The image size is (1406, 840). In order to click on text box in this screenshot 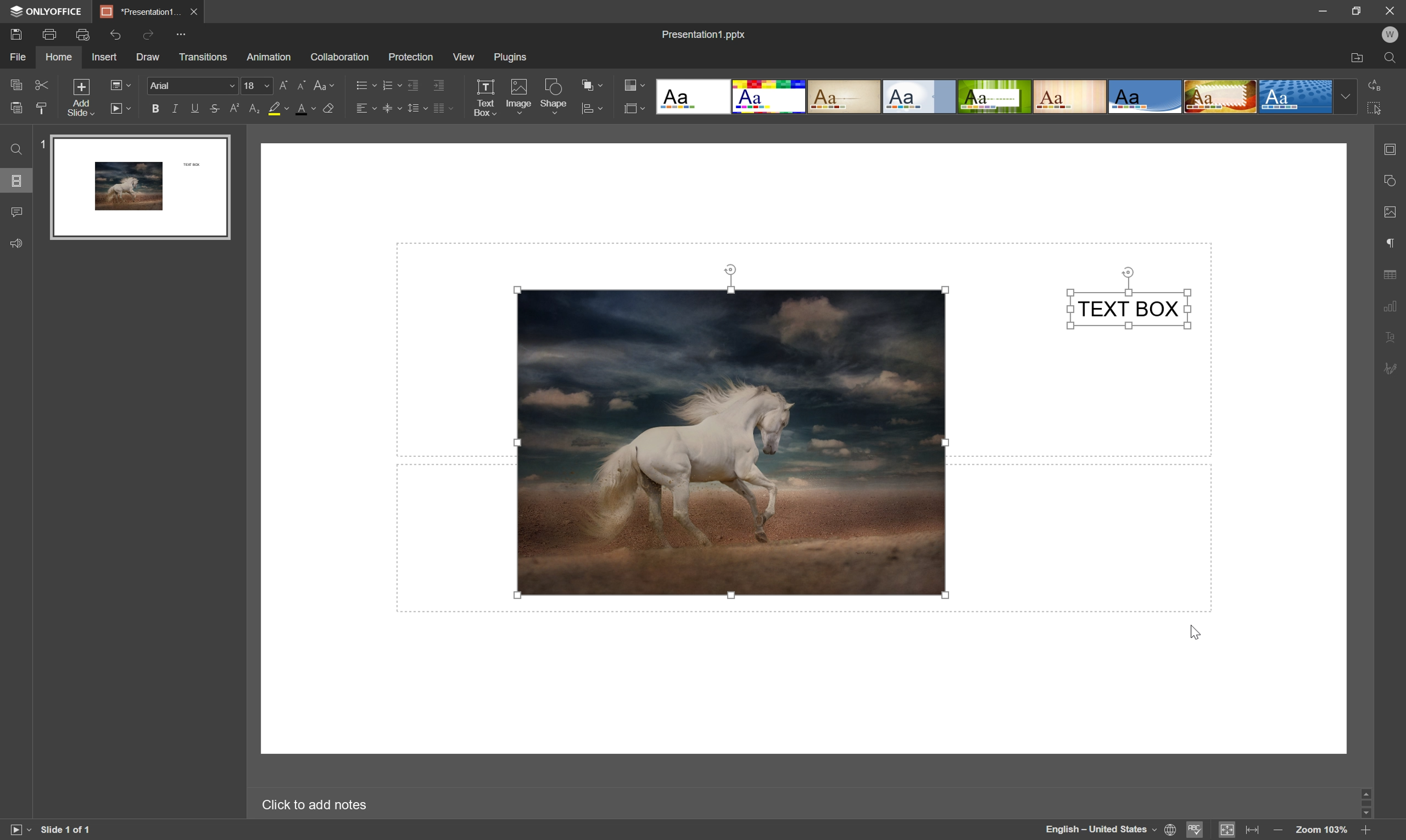, I will do `click(485, 98)`.